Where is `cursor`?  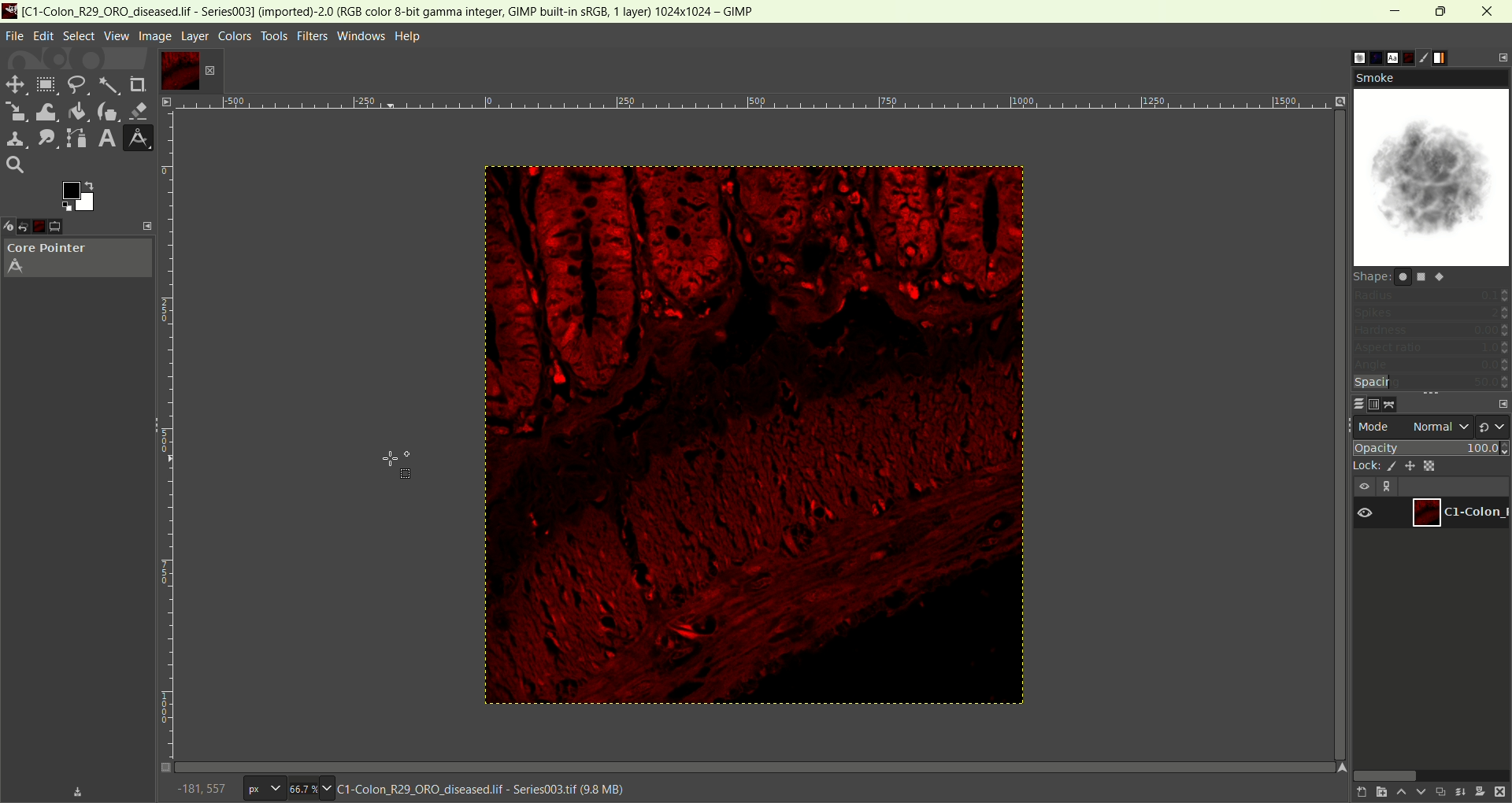
cursor is located at coordinates (398, 466).